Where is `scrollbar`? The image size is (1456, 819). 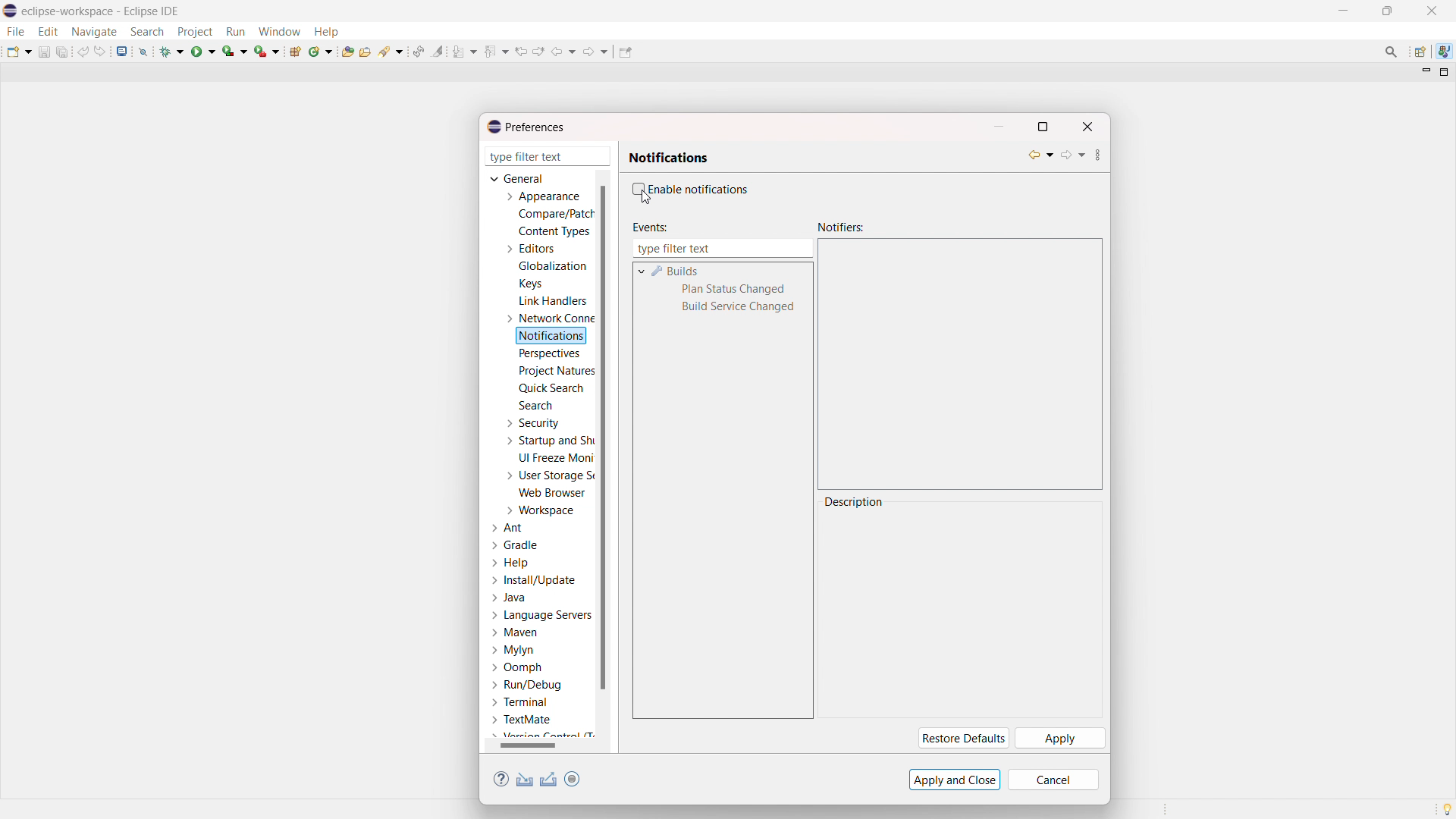
scrollbar is located at coordinates (538, 745).